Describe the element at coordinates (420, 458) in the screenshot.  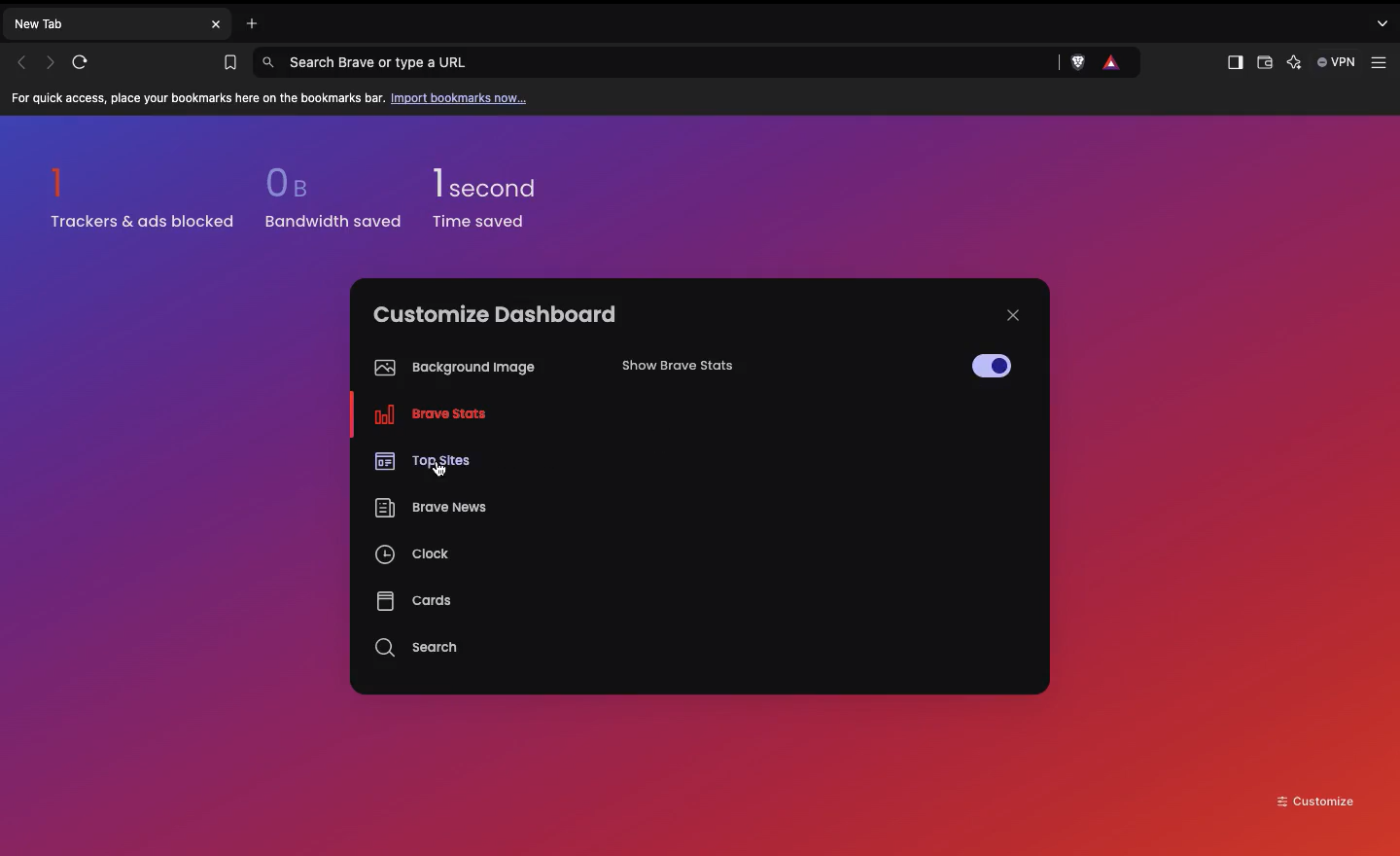
I see `Top sites` at that location.